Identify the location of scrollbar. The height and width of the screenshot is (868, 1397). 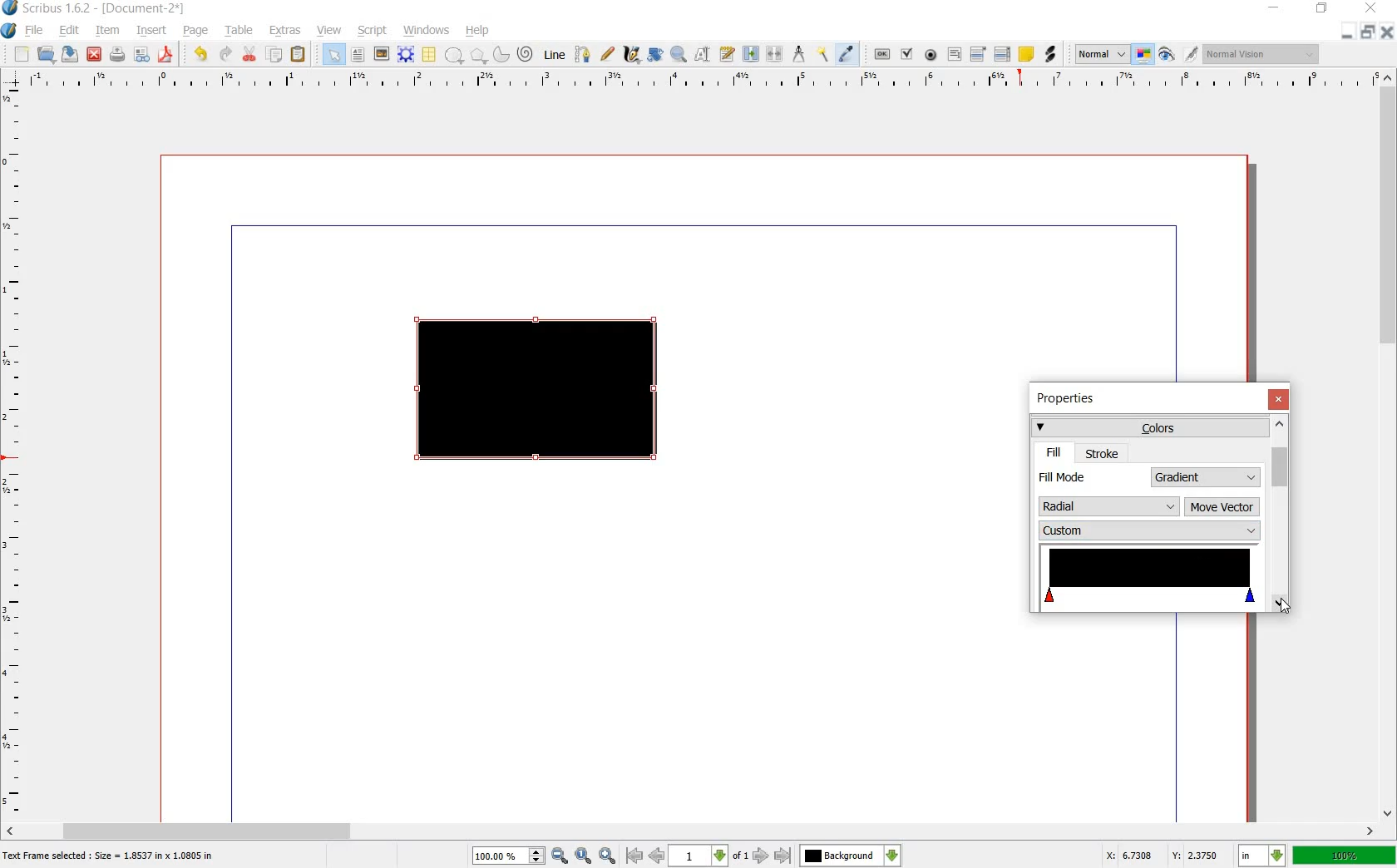
(1279, 513).